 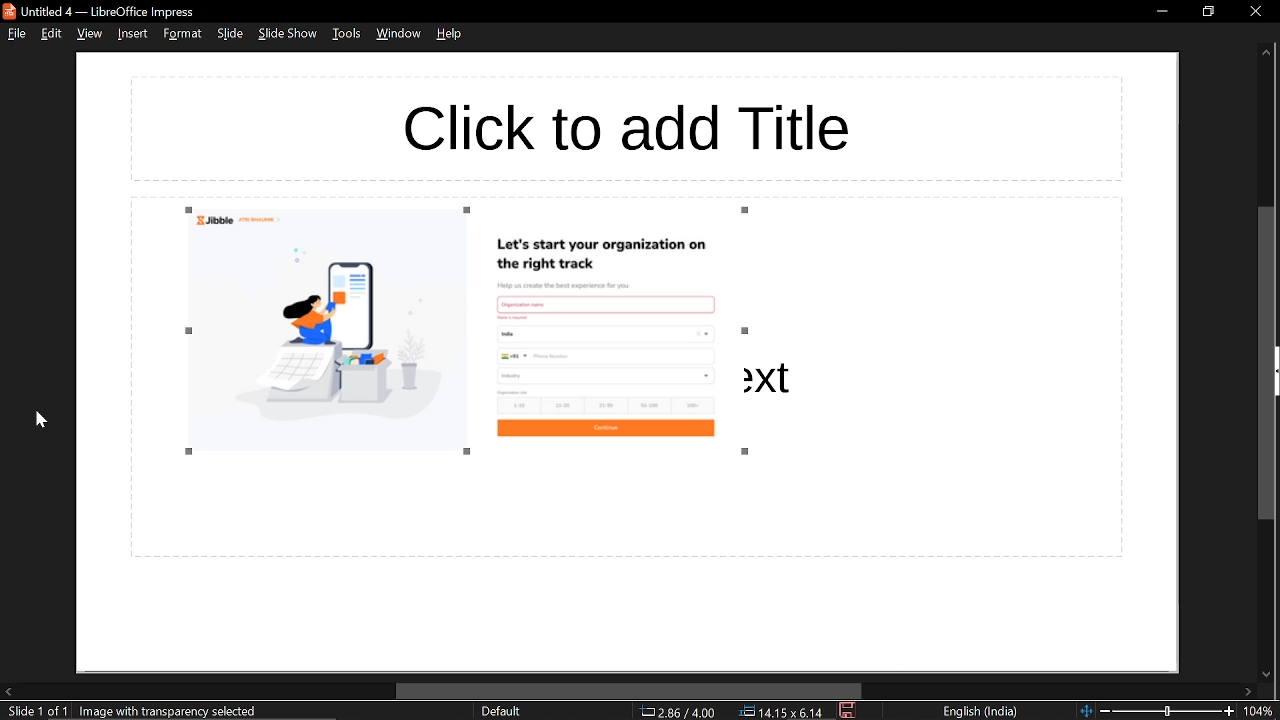 What do you see at coordinates (678, 711) in the screenshot?
I see `co-ordinate` at bounding box center [678, 711].